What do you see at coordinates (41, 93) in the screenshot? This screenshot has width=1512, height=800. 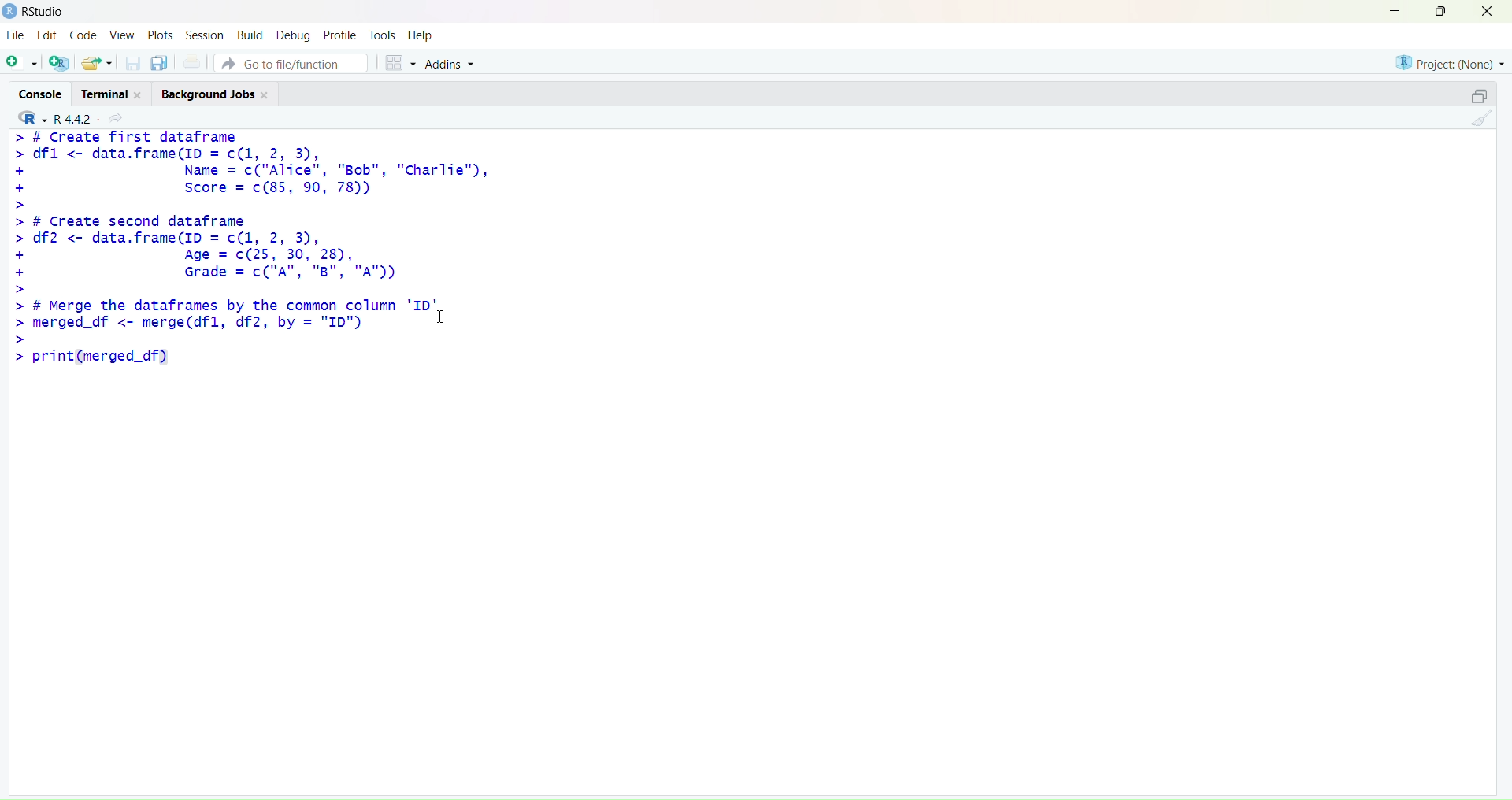 I see `Console` at bounding box center [41, 93].